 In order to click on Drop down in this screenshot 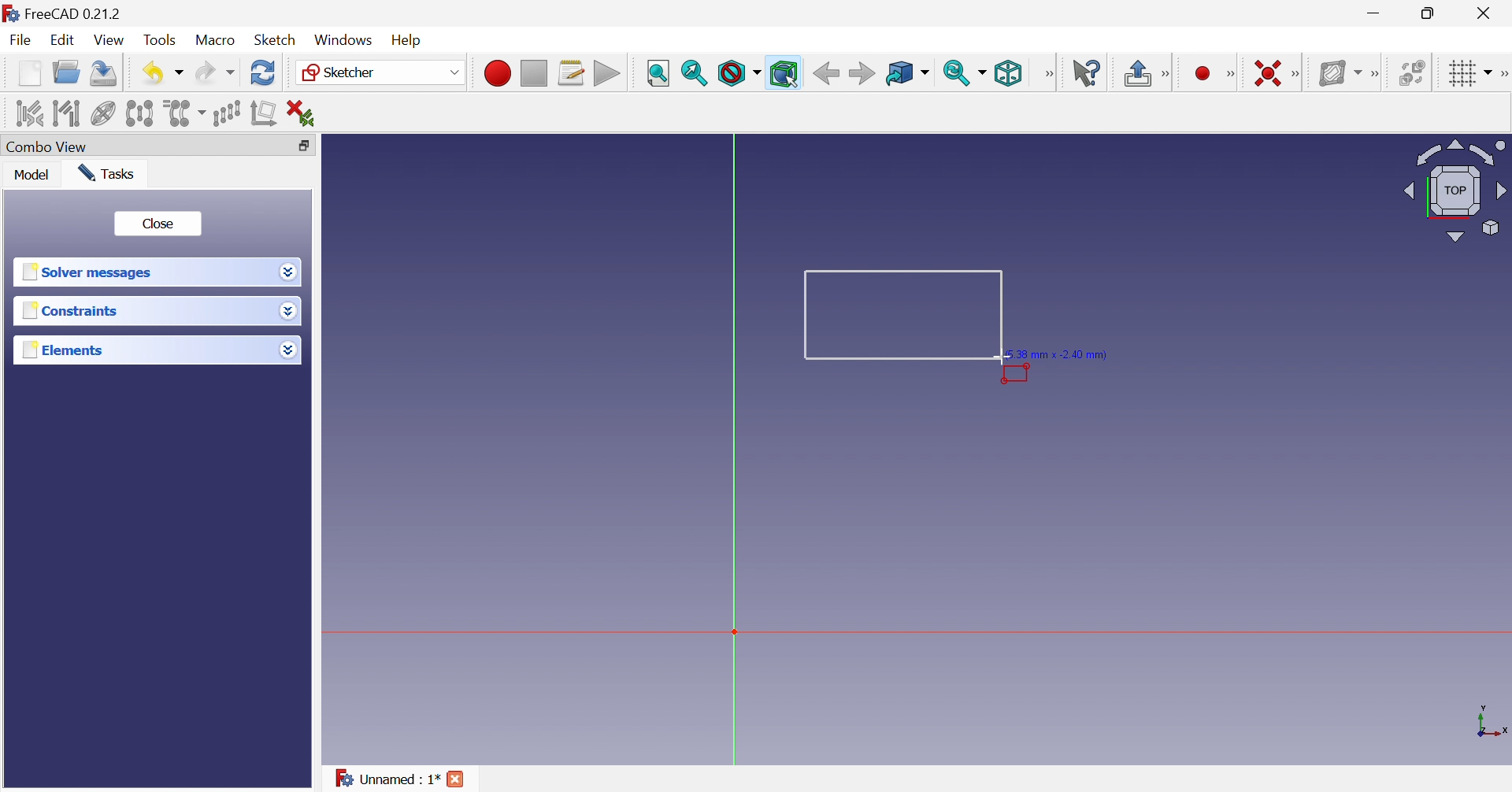, I will do `click(291, 273)`.